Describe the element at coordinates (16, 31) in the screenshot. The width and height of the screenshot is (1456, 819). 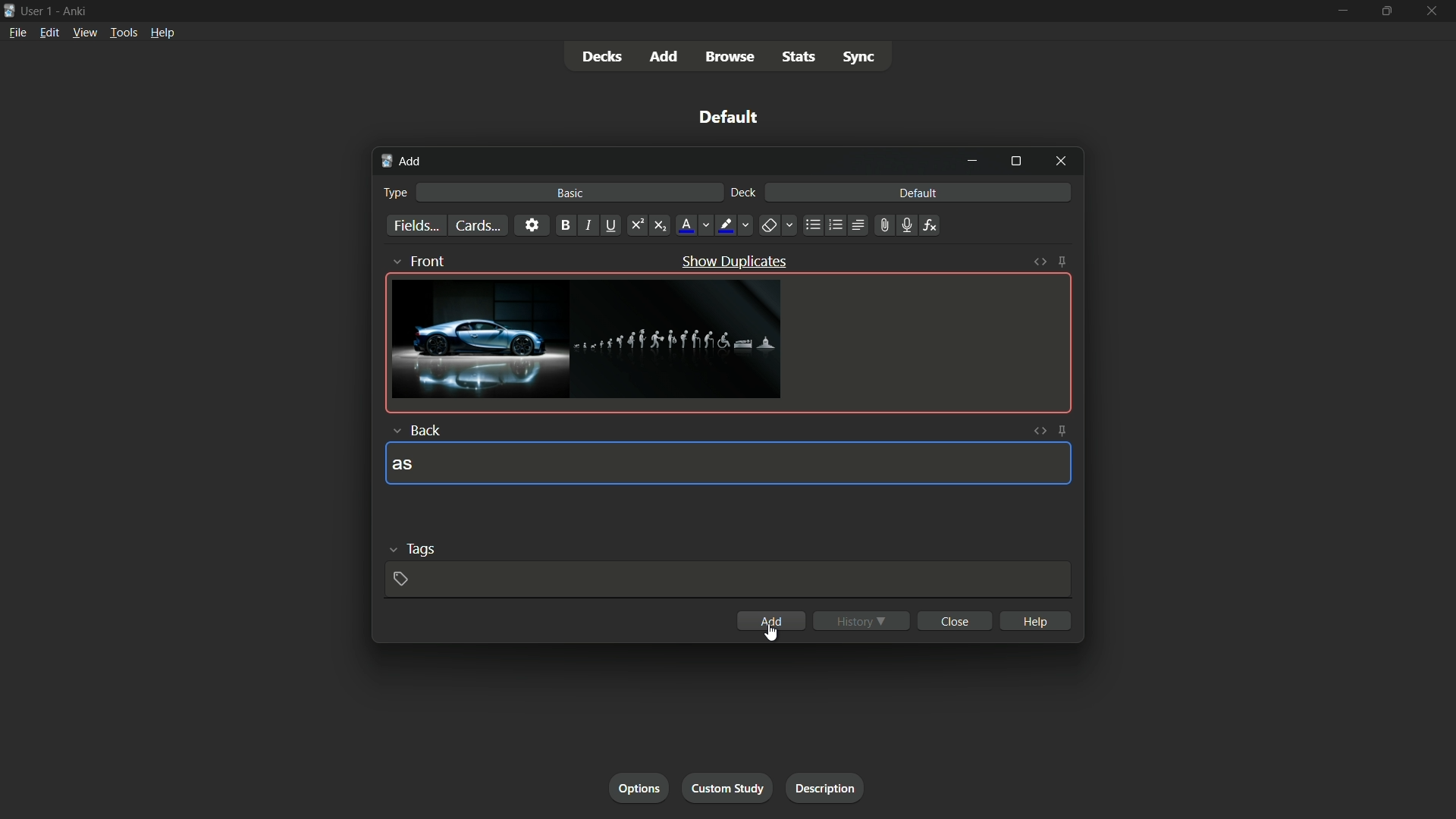
I see `file menu` at that location.